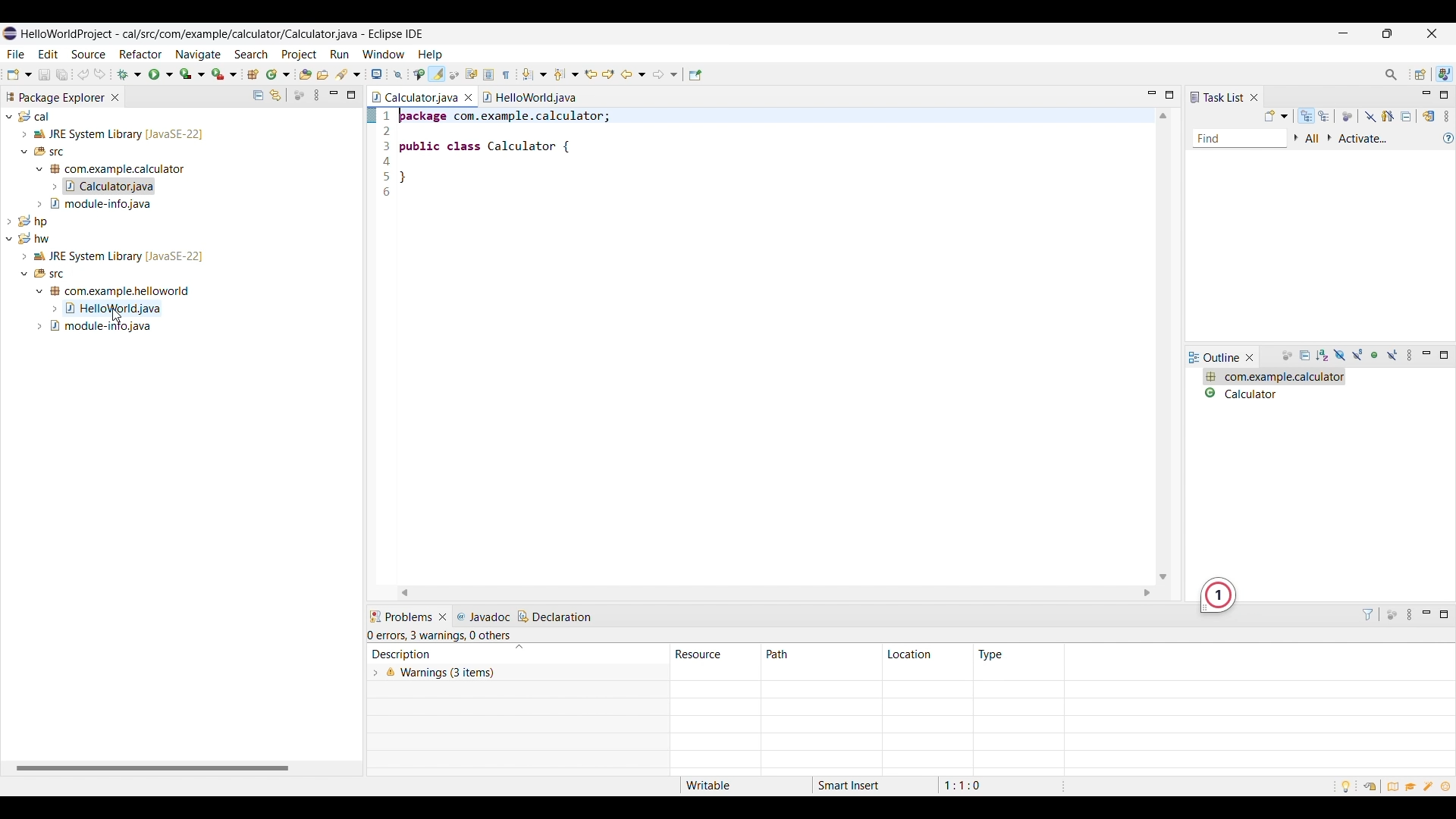 Image resolution: width=1456 pixels, height=819 pixels. I want to click on Add new task and related options, so click(1277, 116).